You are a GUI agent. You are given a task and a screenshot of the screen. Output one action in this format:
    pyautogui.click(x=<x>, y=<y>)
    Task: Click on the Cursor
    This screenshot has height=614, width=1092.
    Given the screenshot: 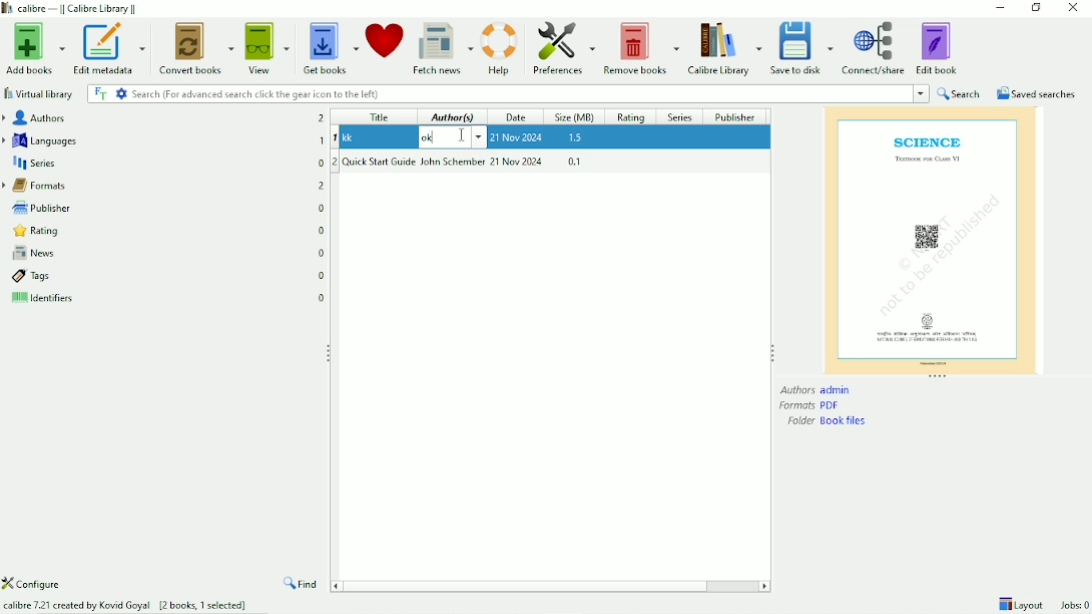 What is the action you would take?
    pyautogui.click(x=460, y=135)
    